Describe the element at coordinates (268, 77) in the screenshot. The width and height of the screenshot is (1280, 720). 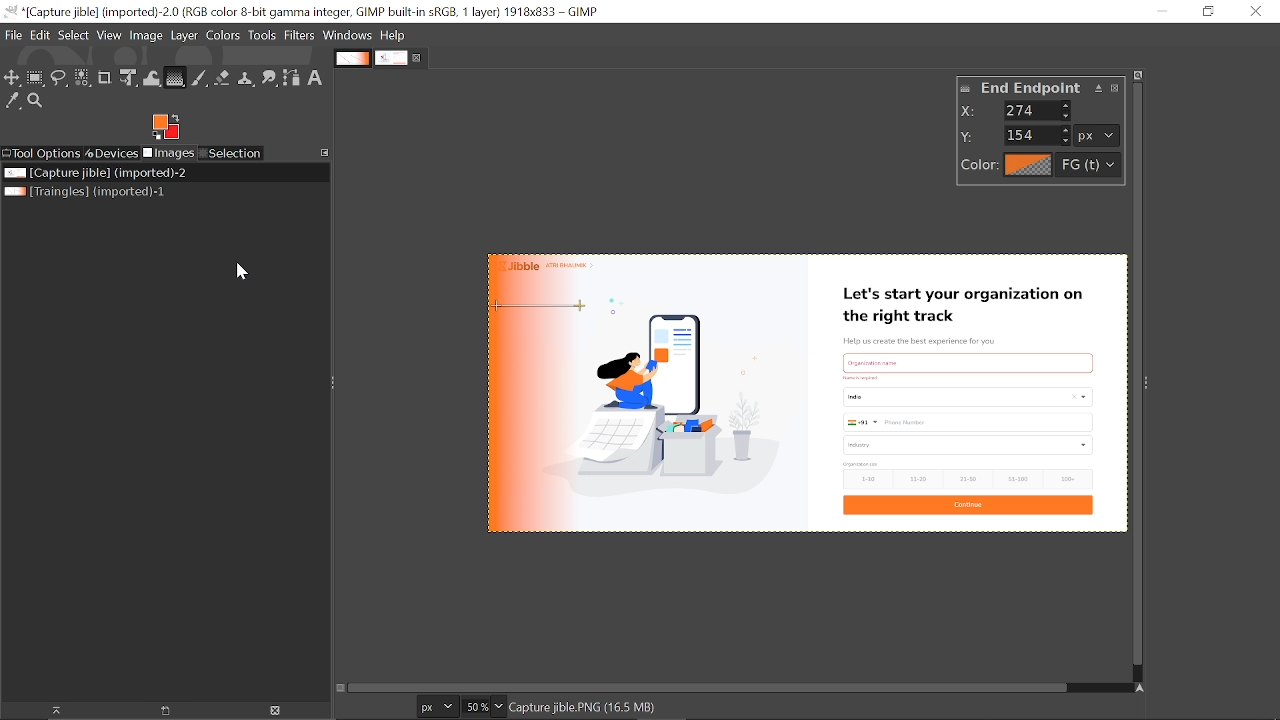
I see `Smudge tool` at that location.